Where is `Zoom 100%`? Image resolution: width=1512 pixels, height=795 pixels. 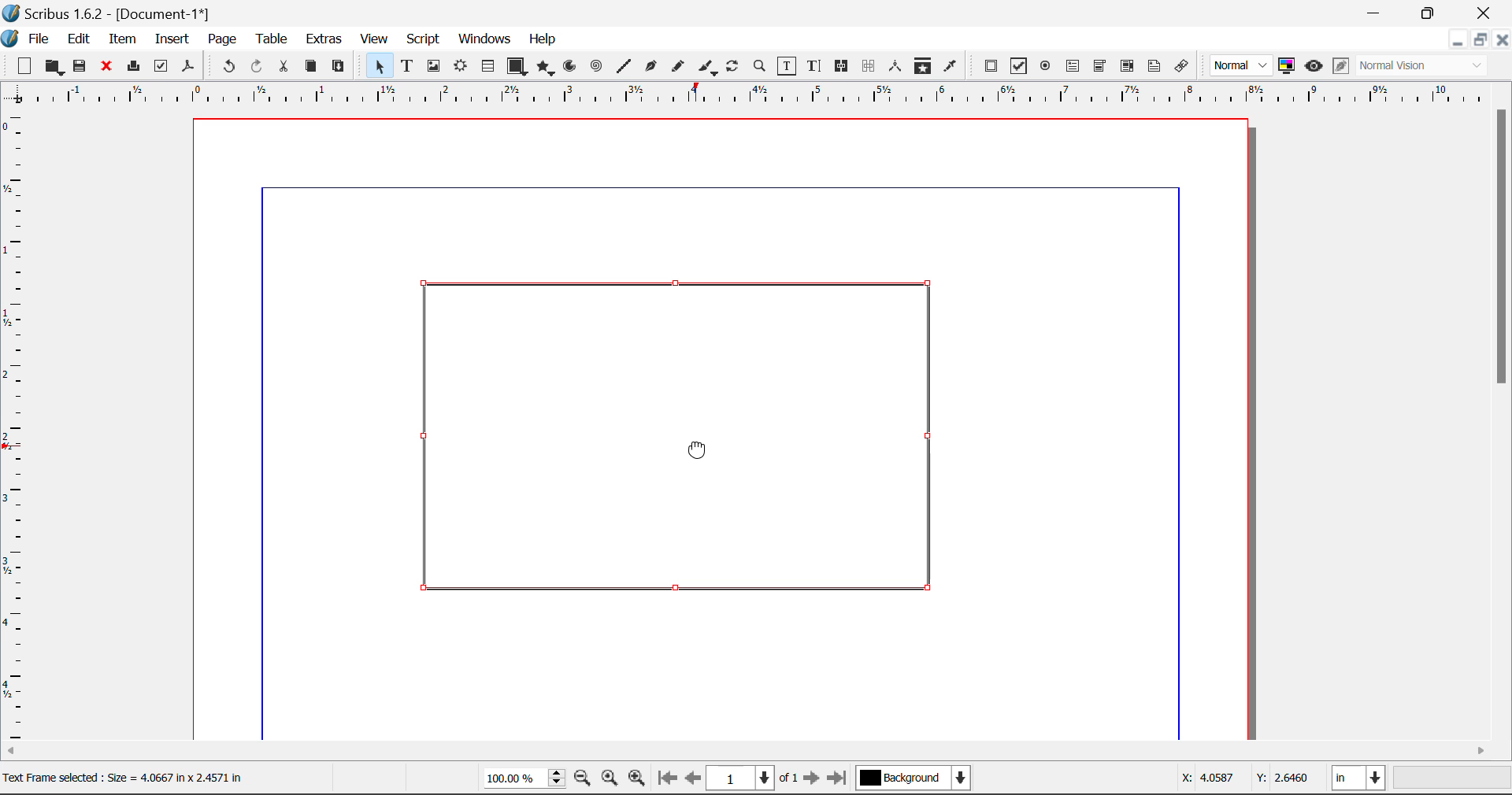 Zoom 100% is located at coordinates (524, 779).